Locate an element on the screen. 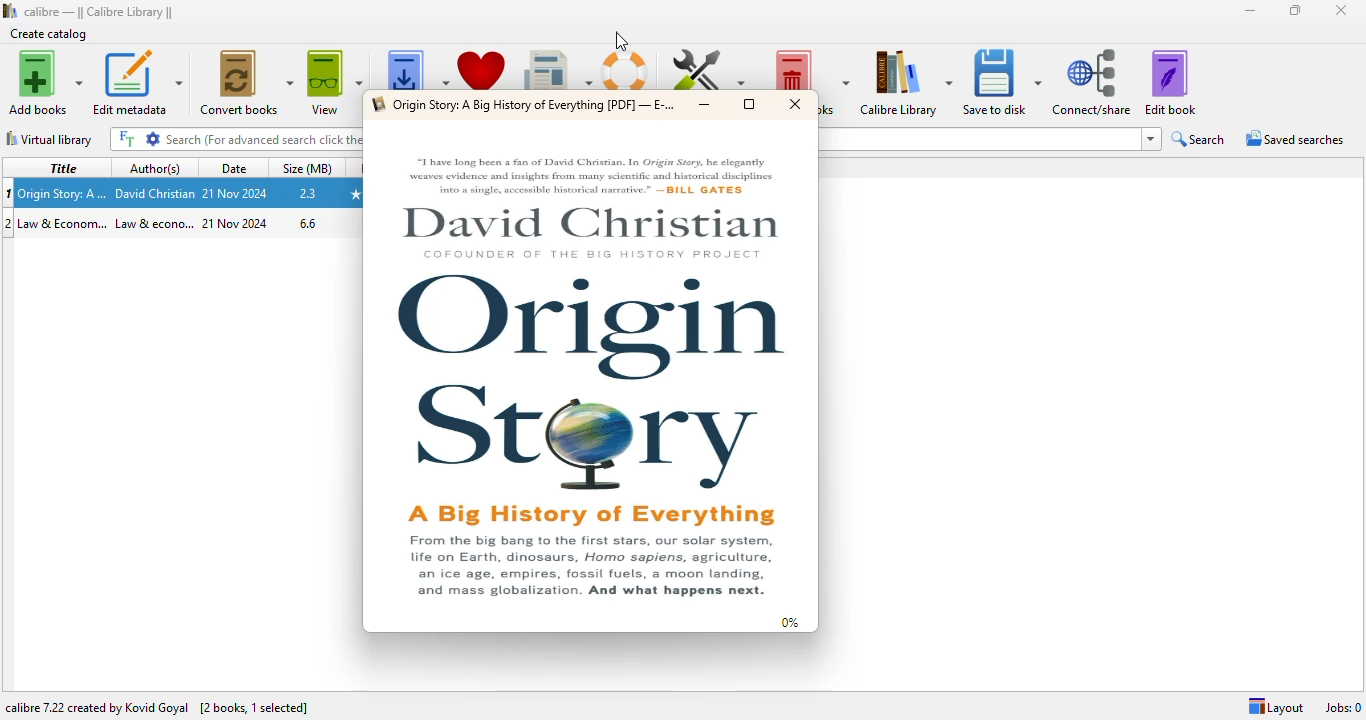  edit metadata is located at coordinates (138, 82).